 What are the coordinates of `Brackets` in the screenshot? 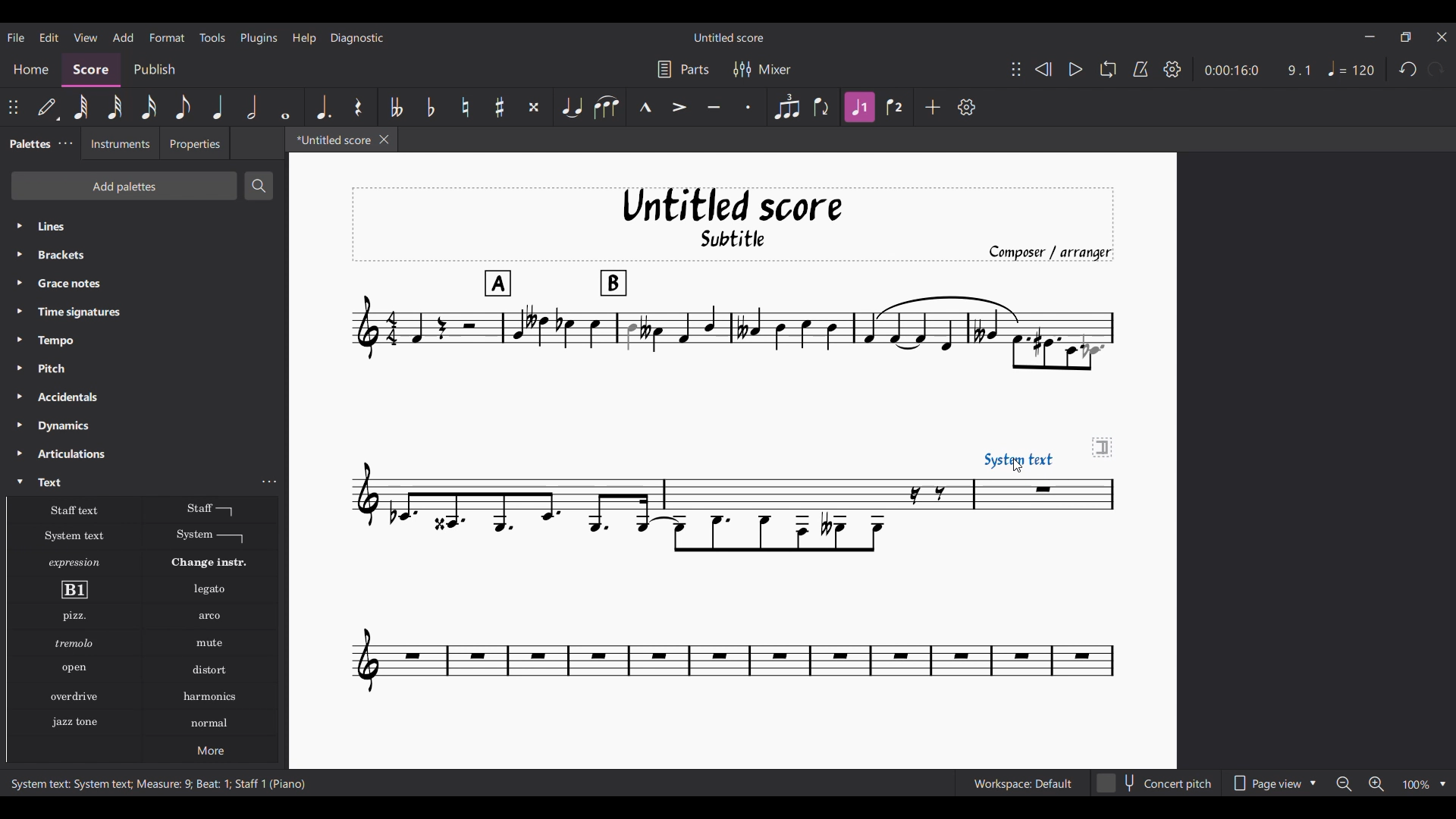 It's located at (143, 255).